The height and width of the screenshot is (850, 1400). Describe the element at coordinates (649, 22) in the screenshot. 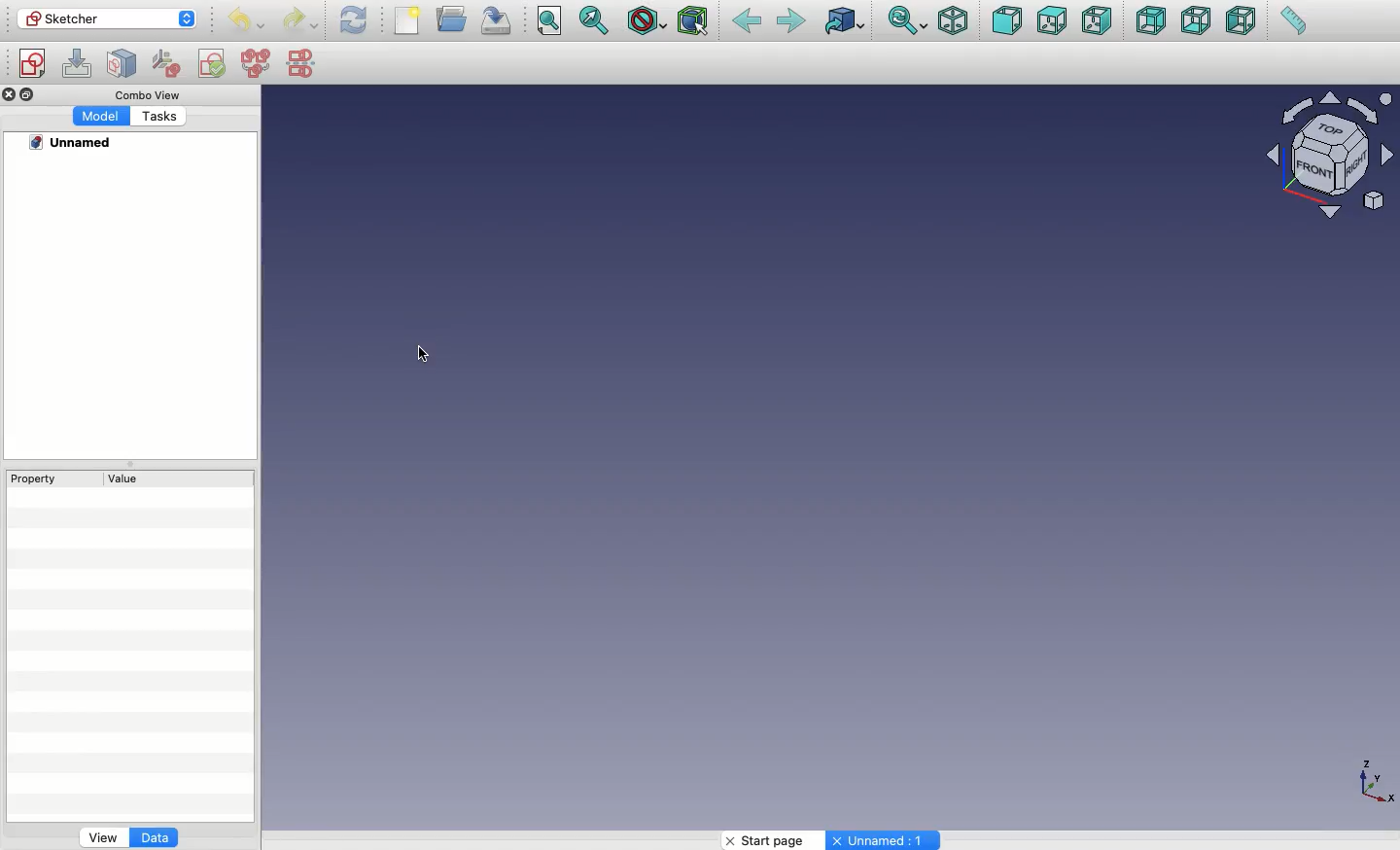

I see `Draw style` at that location.